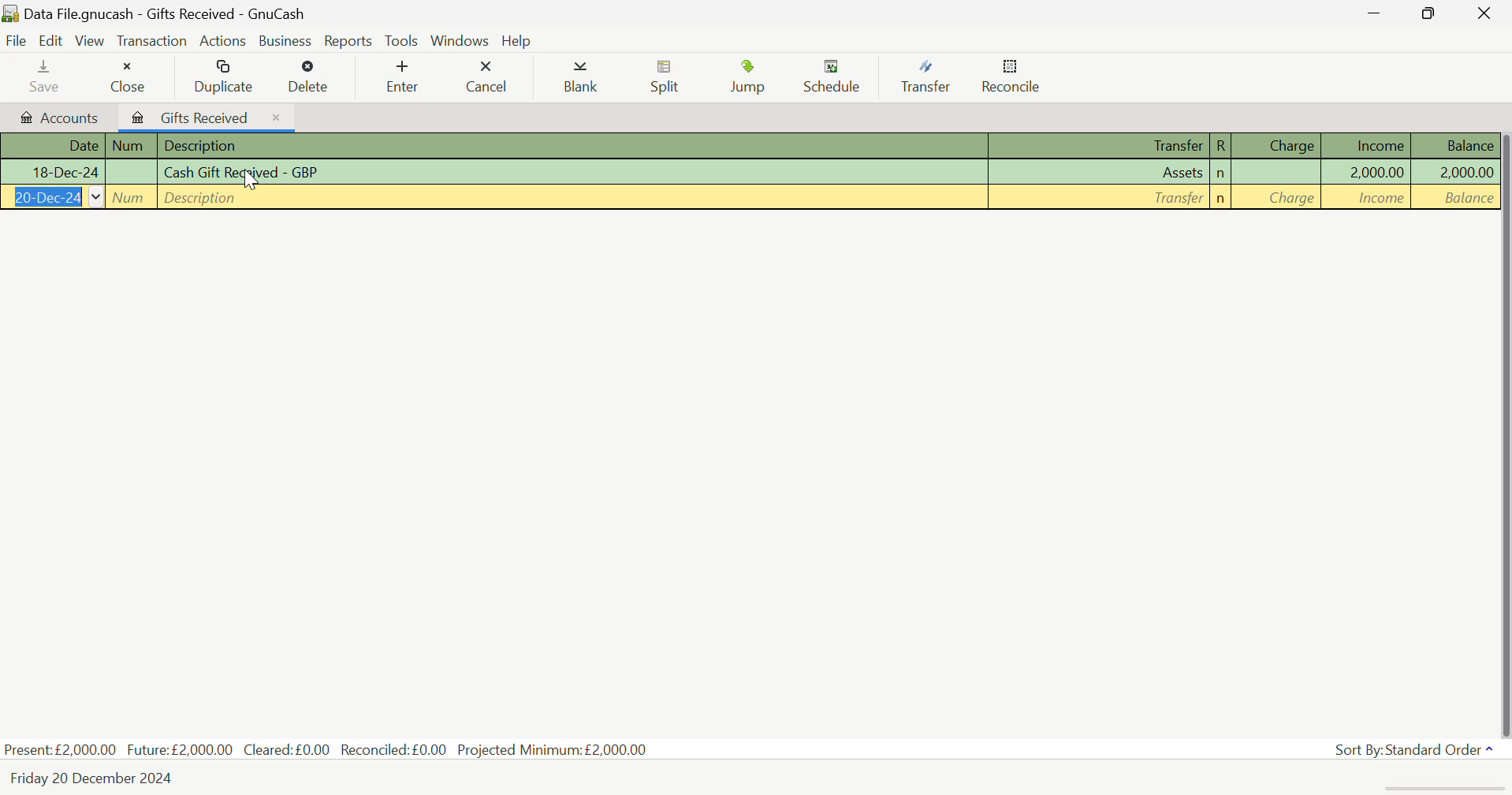  What do you see at coordinates (1103, 198) in the screenshot?
I see `Transfer` at bounding box center [1103, 198].